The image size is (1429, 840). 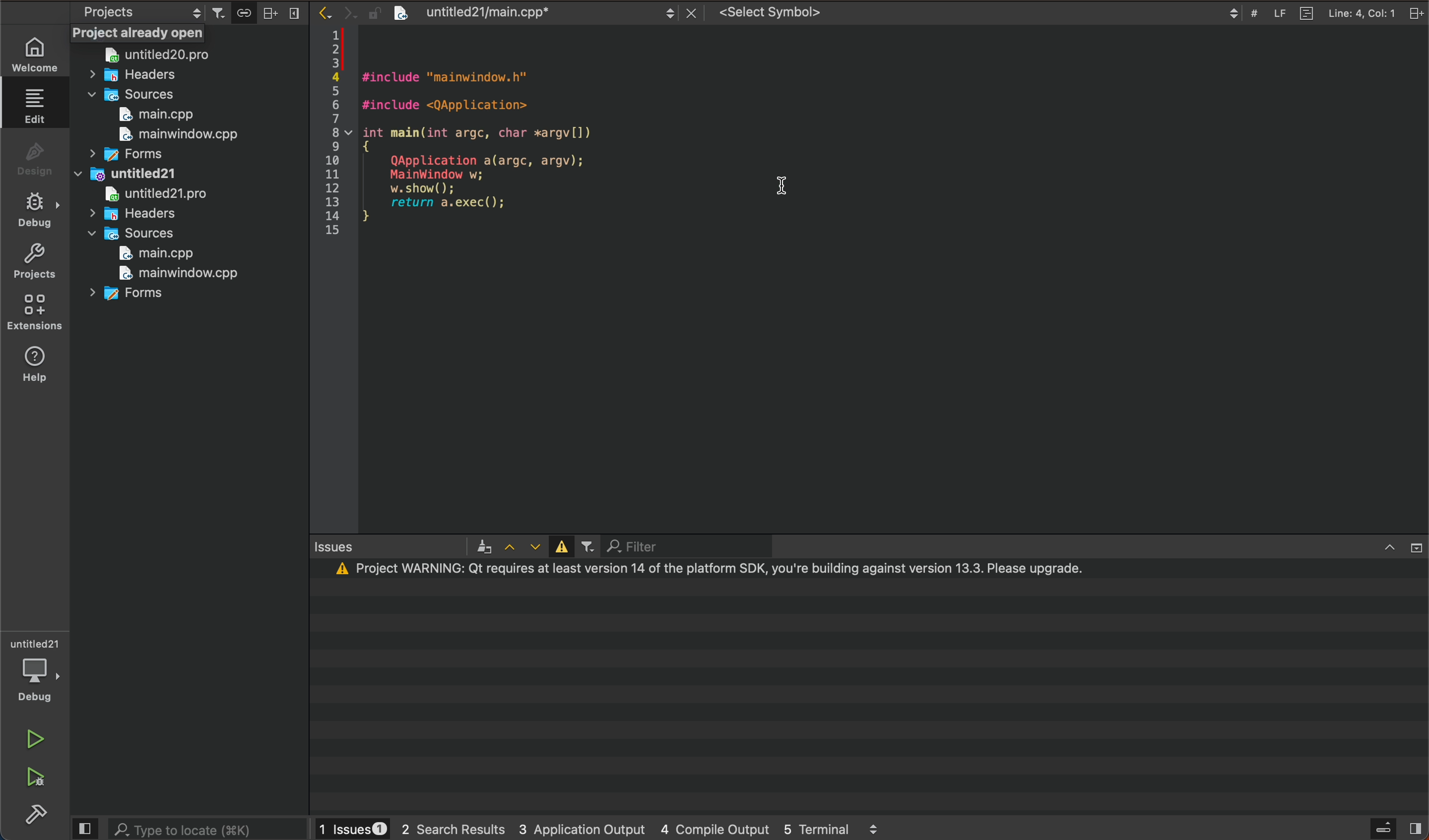 I want to click on main.cpp, so click(x=152, y=114).